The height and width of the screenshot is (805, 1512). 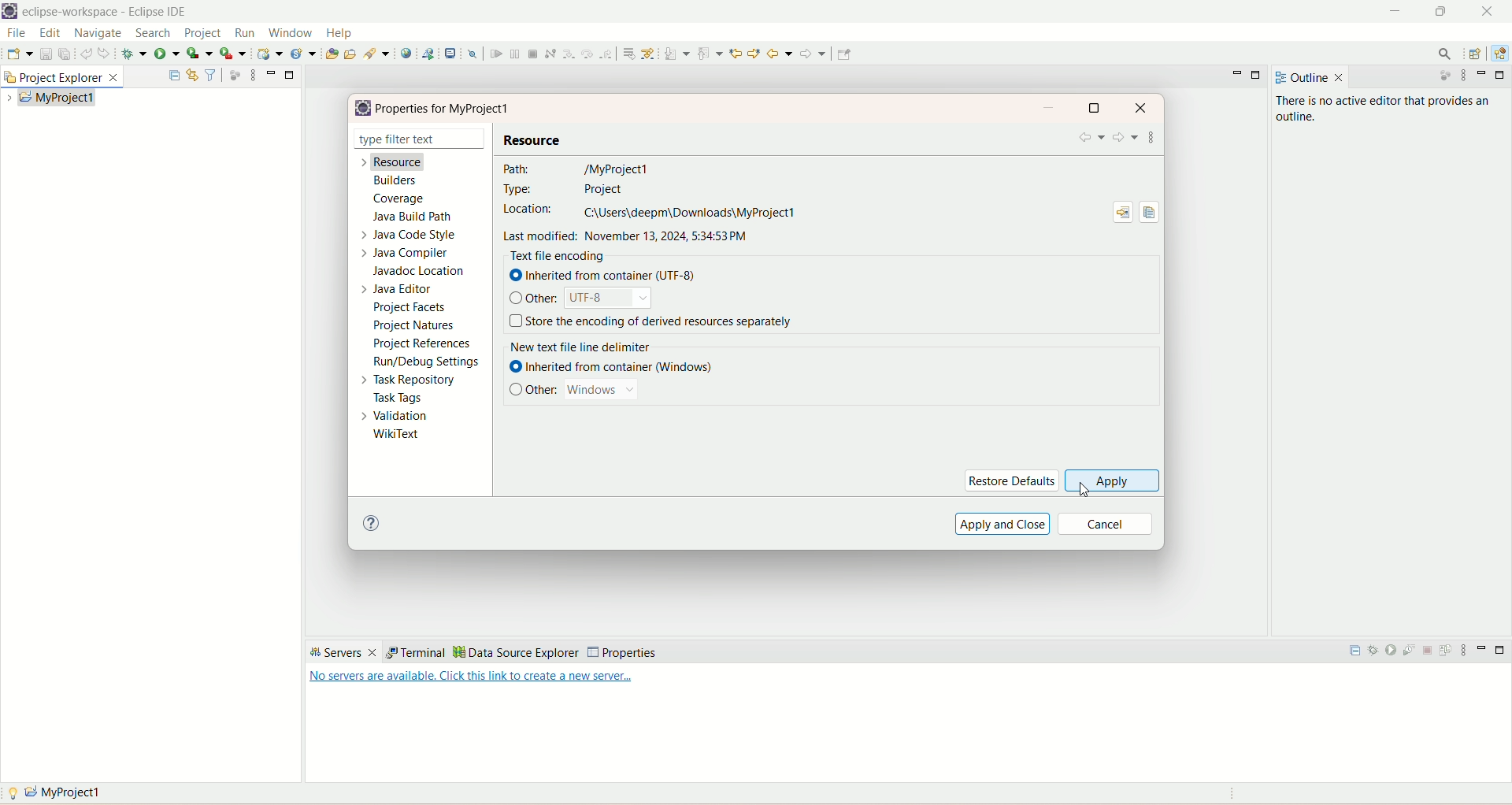 I want to click on skip all breakpoints, so click(x=472, y=54).